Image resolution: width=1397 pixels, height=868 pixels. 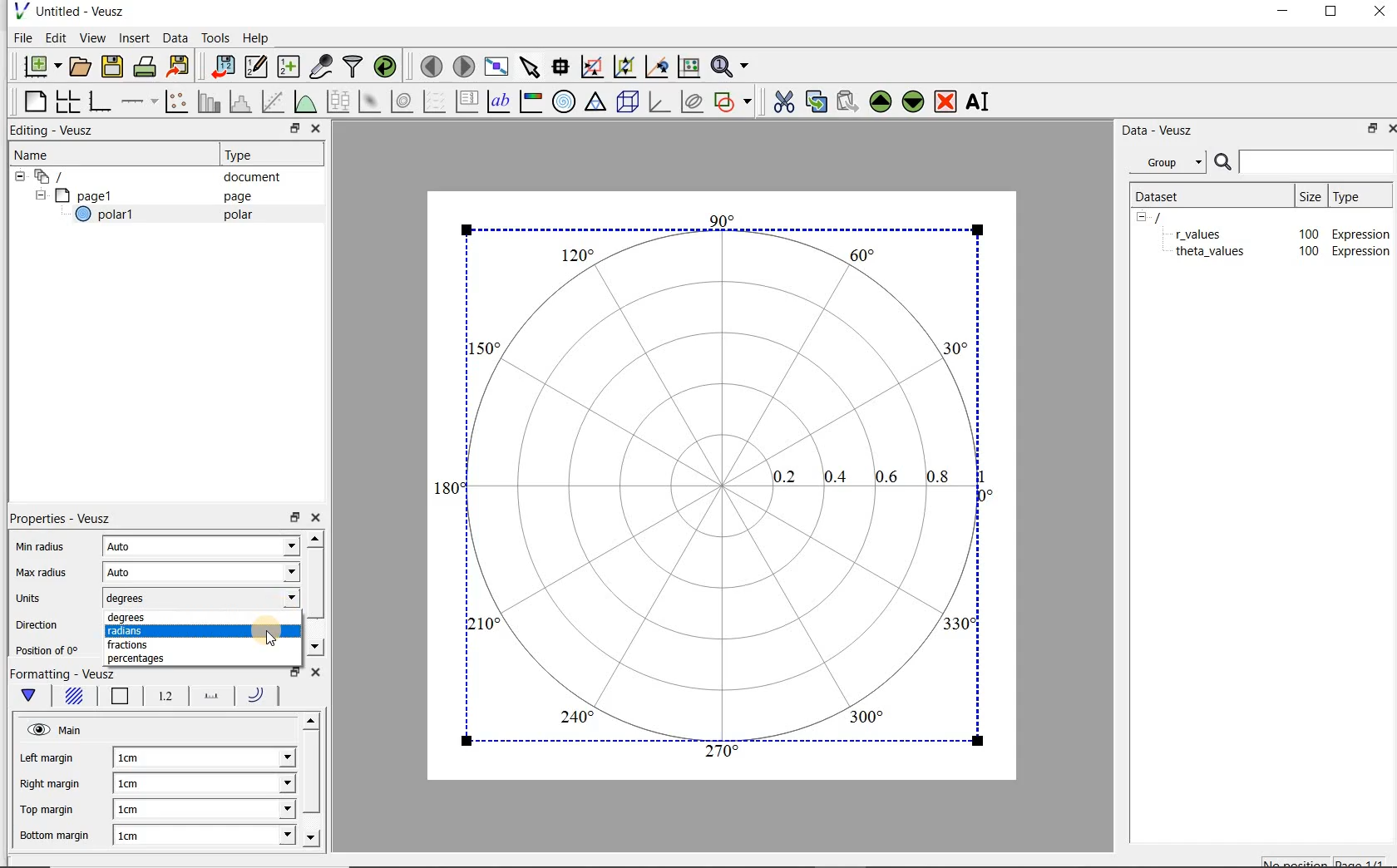 I want to click on Paste widget from the clipboard, so click(x=850, y=101).